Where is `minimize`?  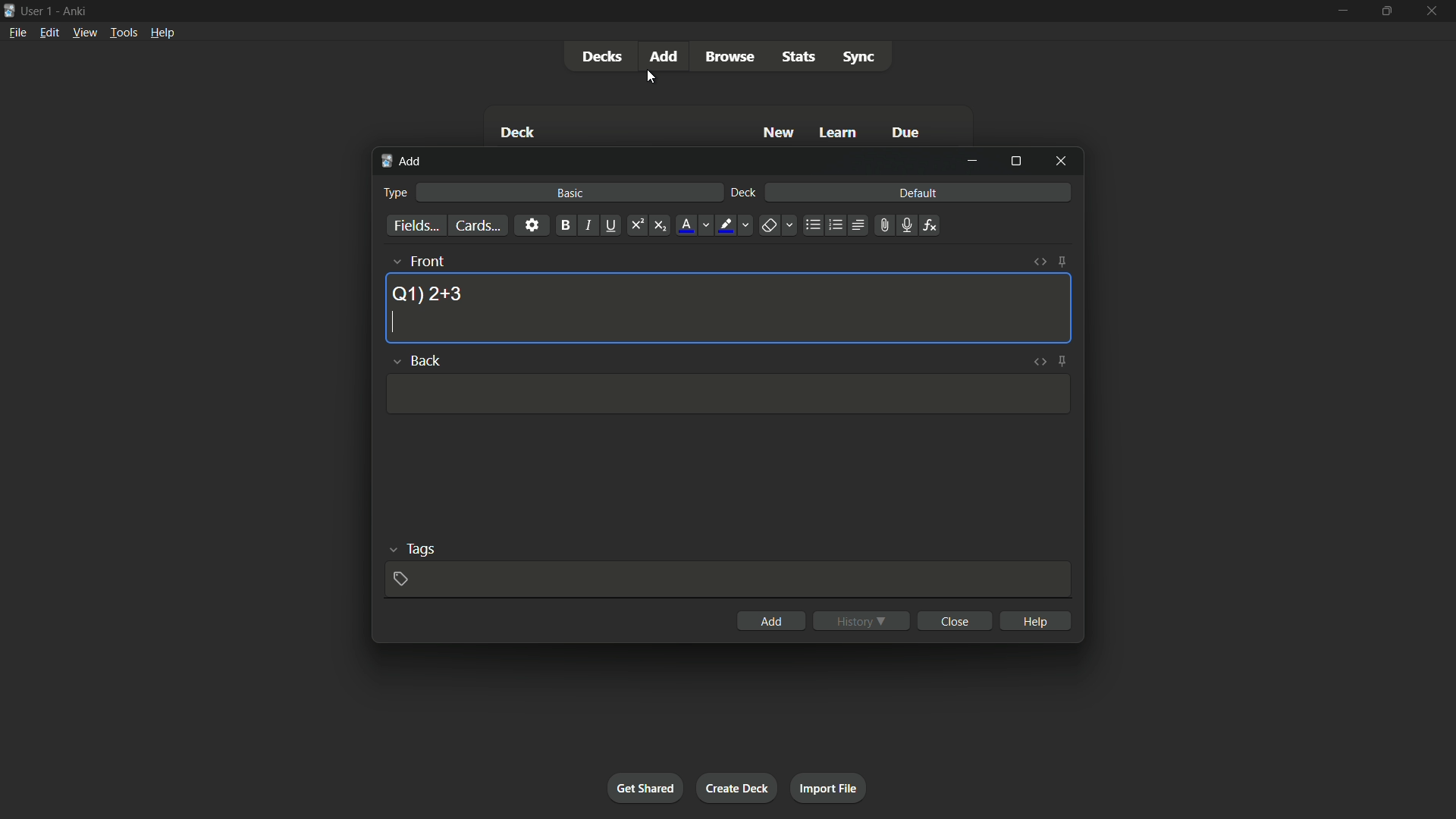 minimize is located at coordinates (1341, 10).